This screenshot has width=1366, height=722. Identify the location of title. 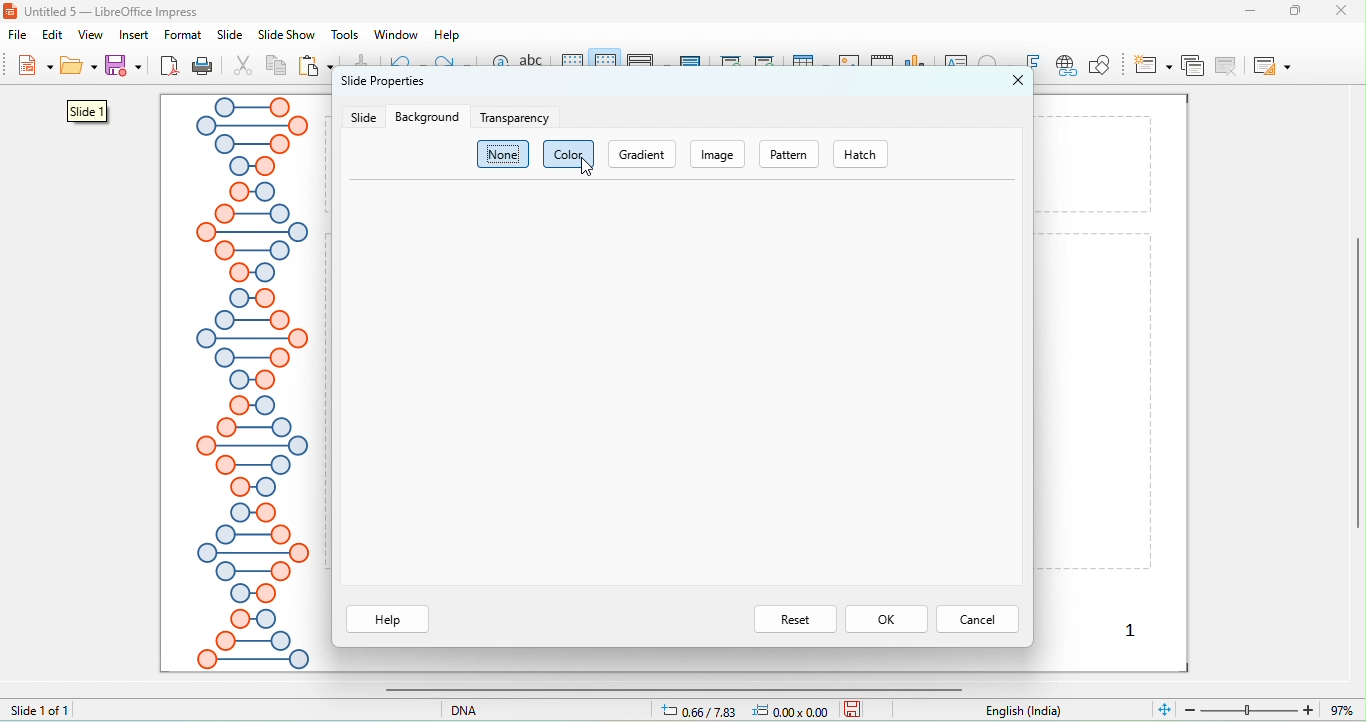
(105, 11).